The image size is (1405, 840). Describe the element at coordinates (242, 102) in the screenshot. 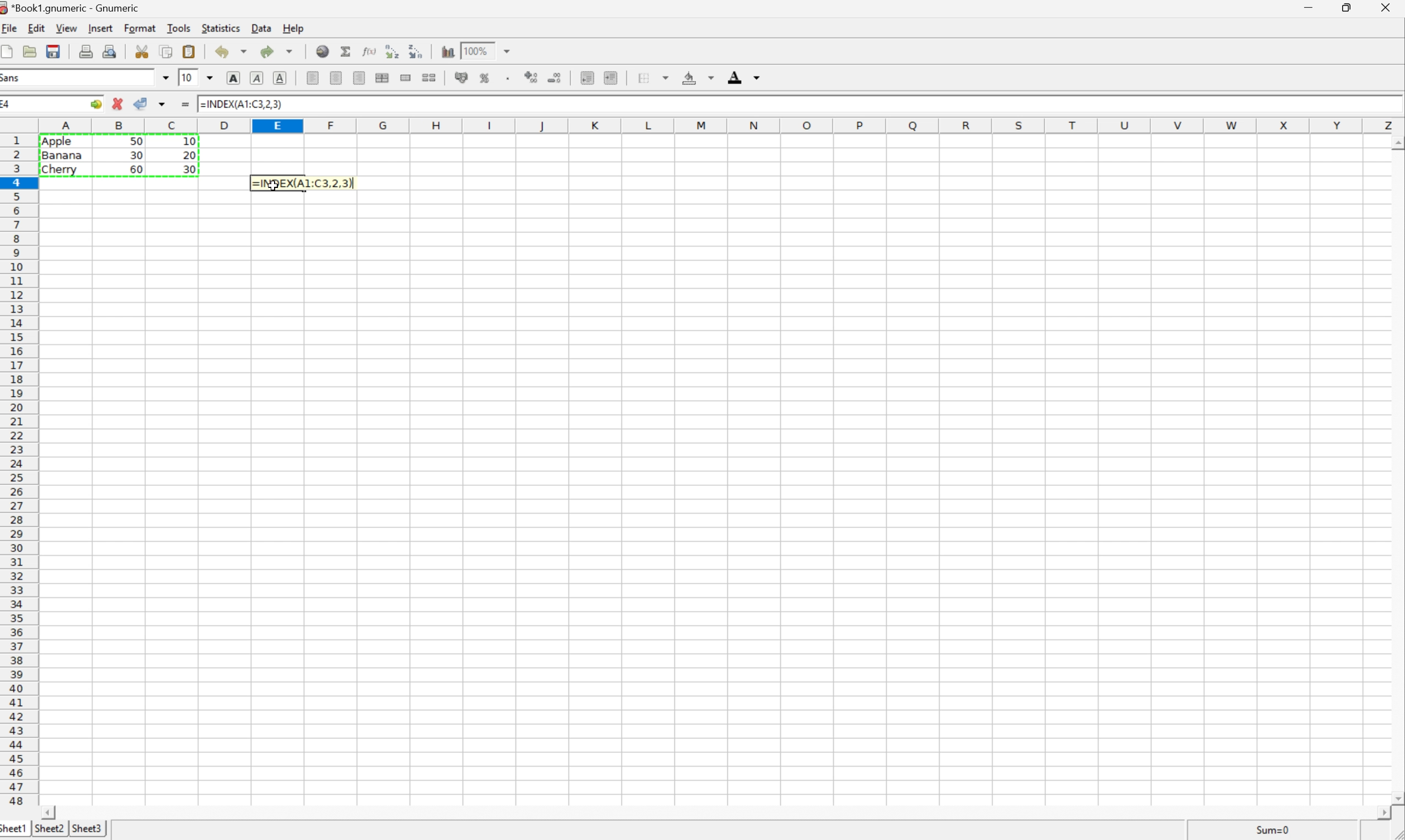

I see `=INDEX(A1:C3,2,3)` at that location.